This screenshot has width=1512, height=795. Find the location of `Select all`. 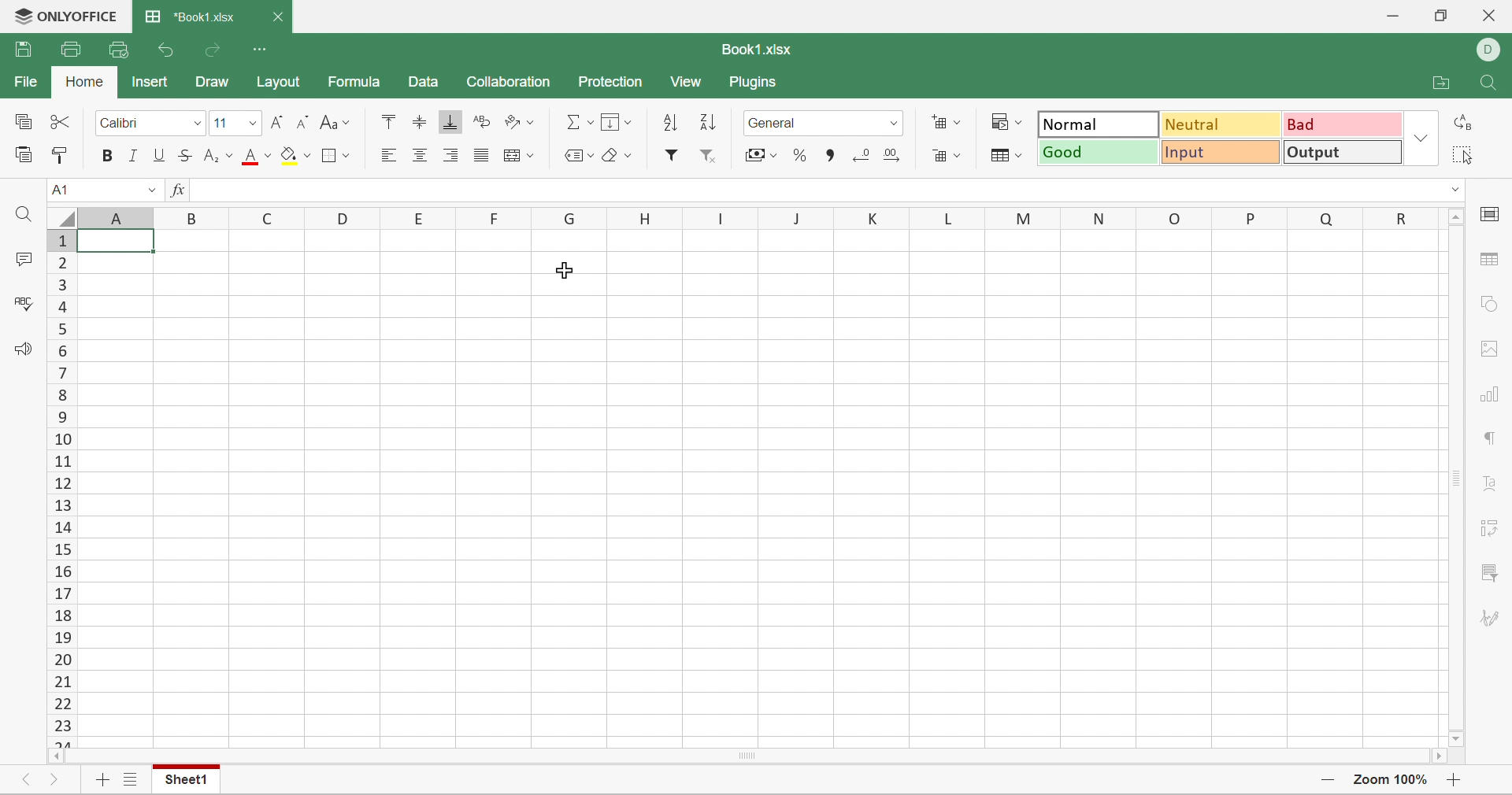

Select all is located at coordinates (1458, 154).